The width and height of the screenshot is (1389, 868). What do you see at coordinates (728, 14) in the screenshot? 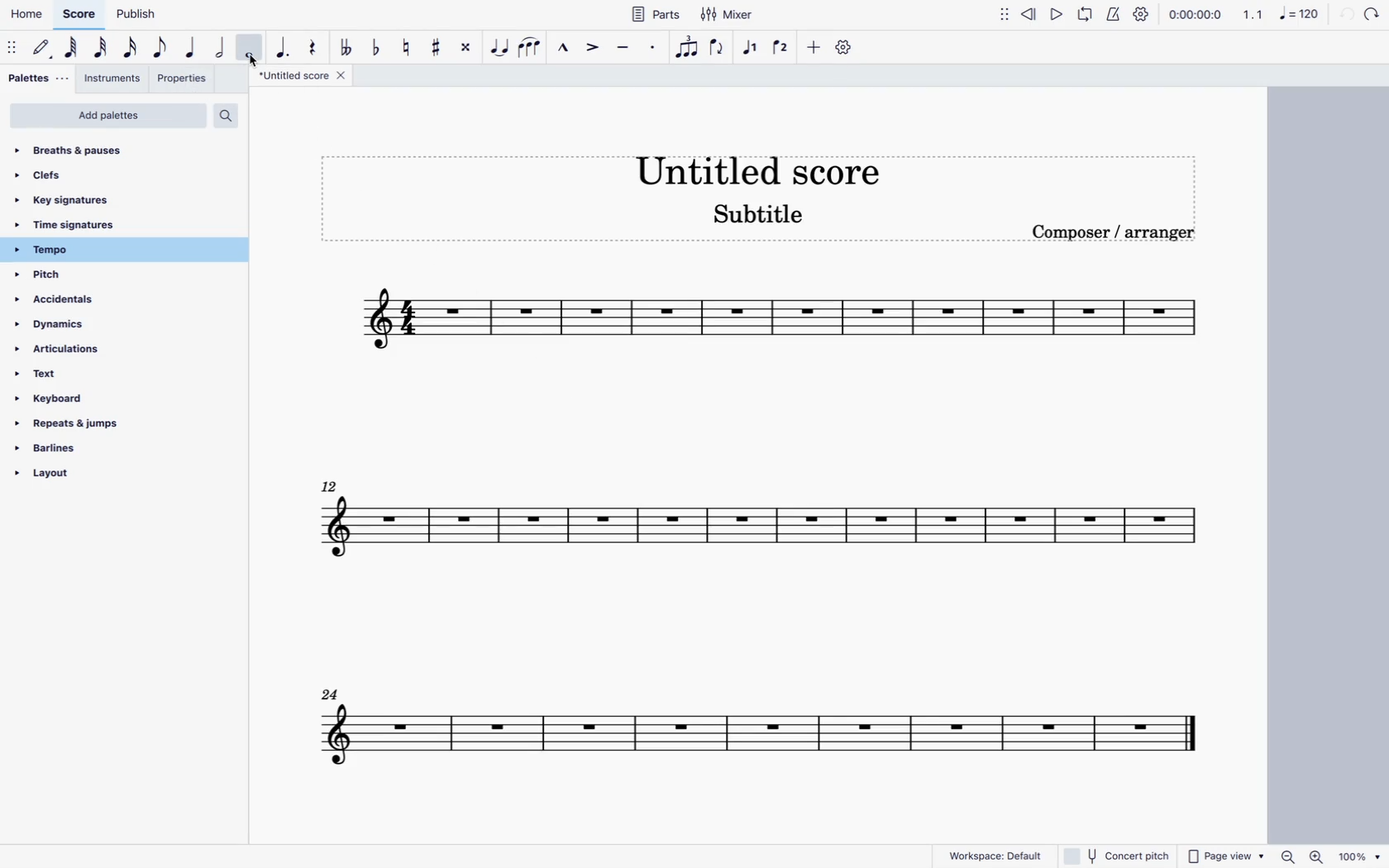
I see `mixer` at bounding box center [728, 14].